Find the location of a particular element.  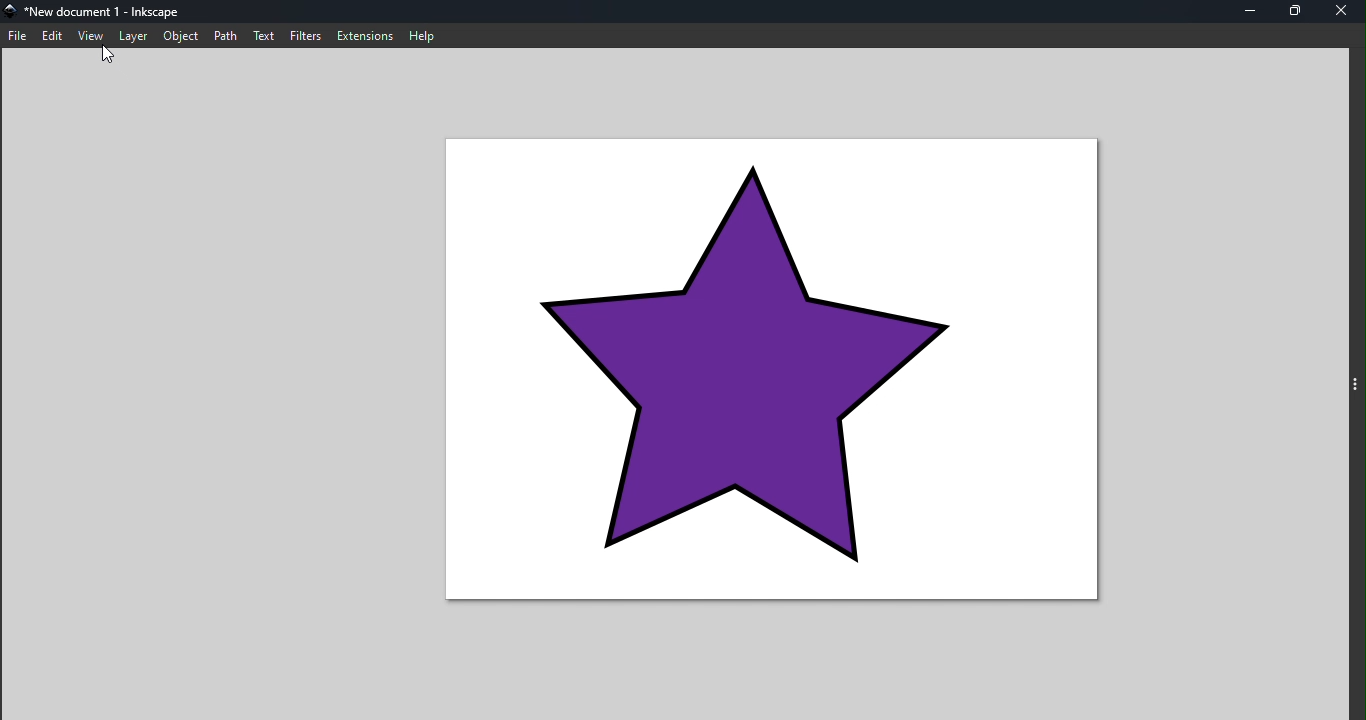

Object is located at coordinates (176, 38).